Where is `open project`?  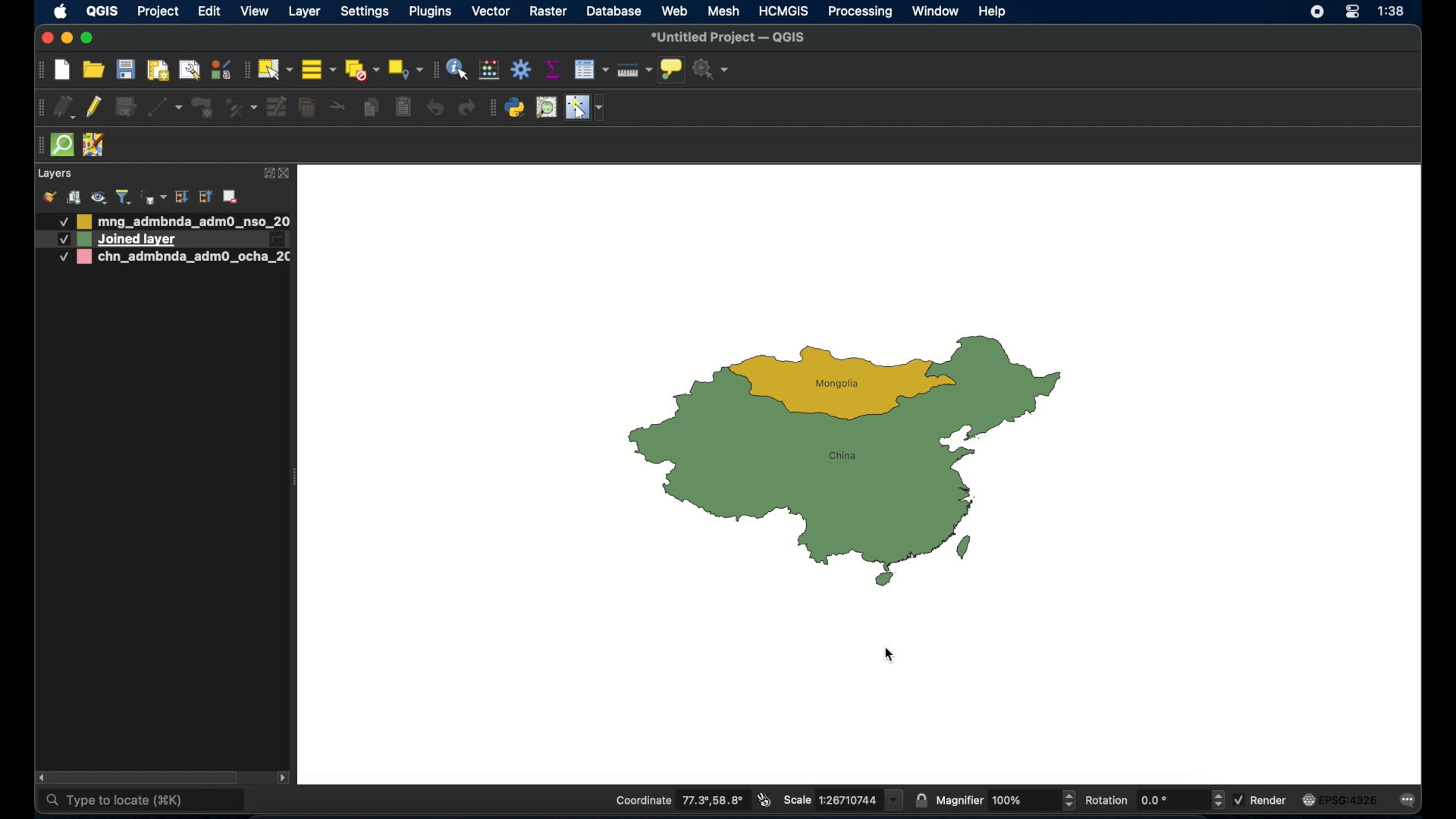 open project is located at coordinates (92, 70).